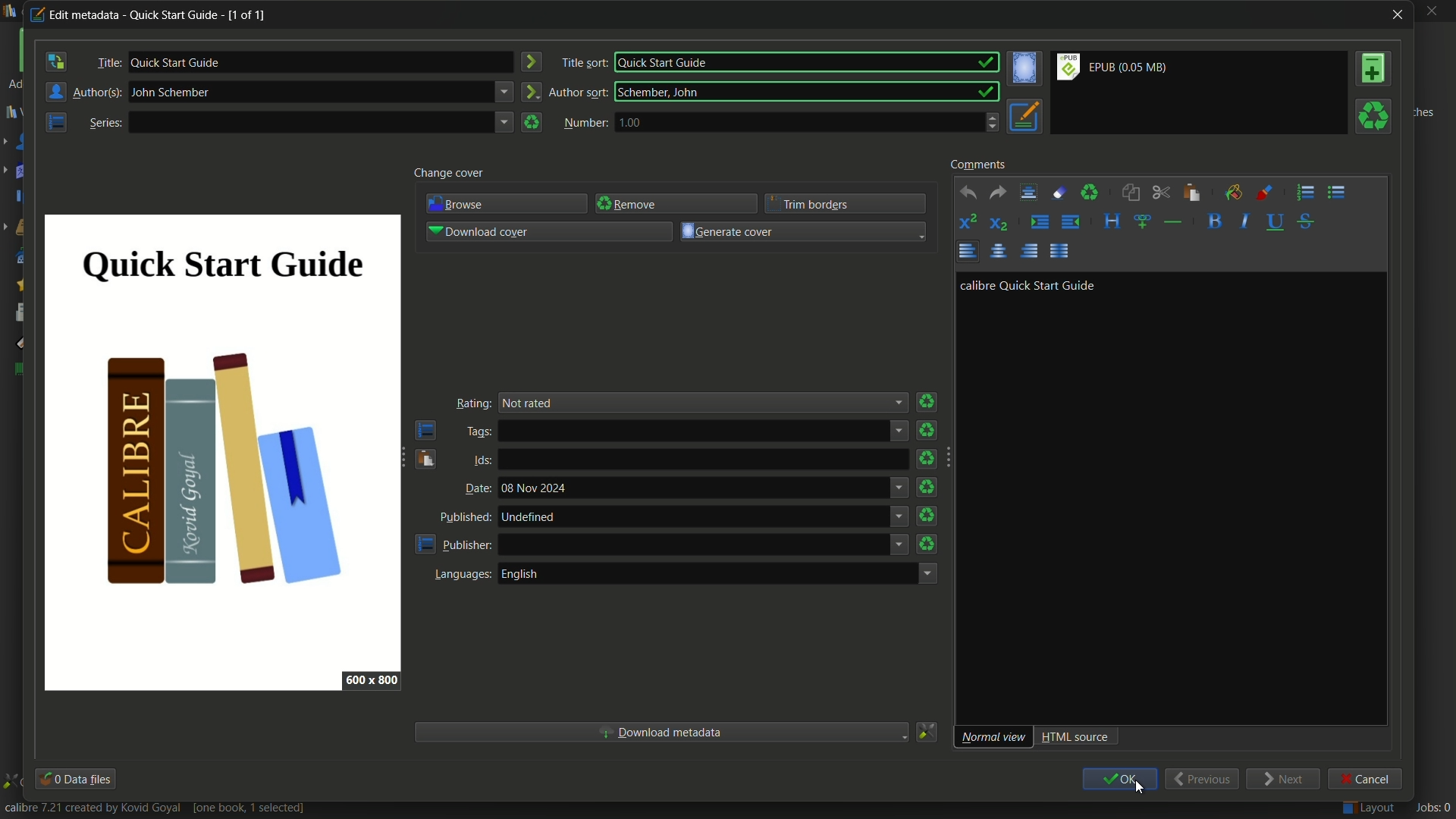 Image resolution: width=1456 pixels, height=819 pixels. Describe the element at coordinates (1230, 192) in the screenshot. I see `background color` at that location.